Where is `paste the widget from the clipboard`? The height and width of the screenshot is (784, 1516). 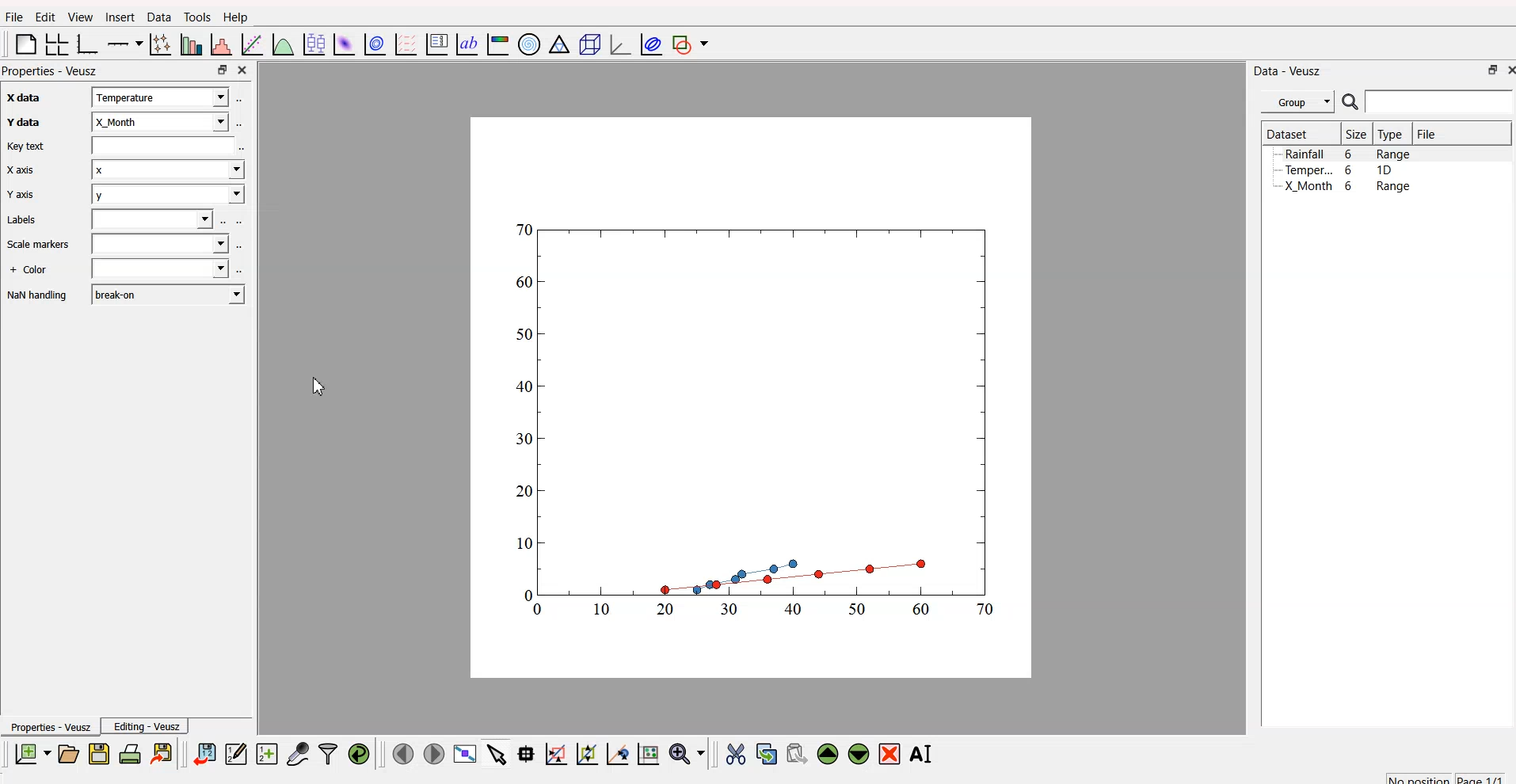
paste the widget from the clipboard is located at coordinates (796, 753).